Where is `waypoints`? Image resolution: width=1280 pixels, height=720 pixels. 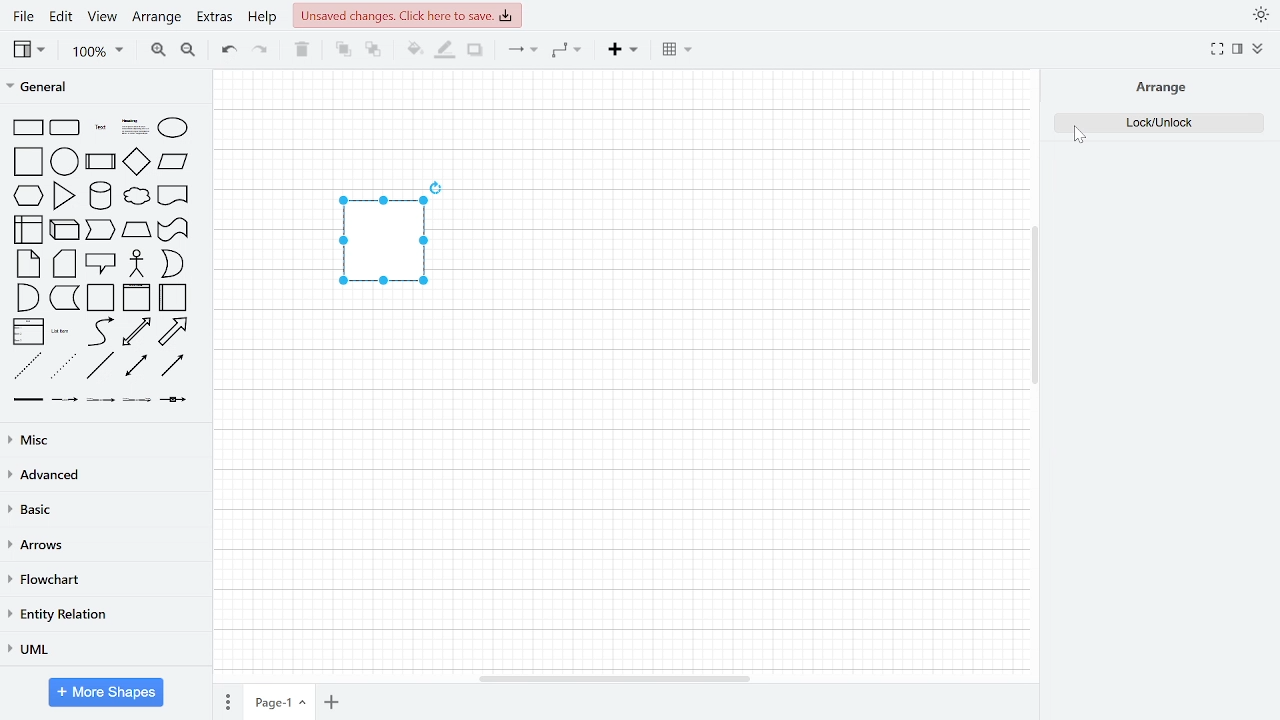
waypoints is located at coordinates (569, 51).